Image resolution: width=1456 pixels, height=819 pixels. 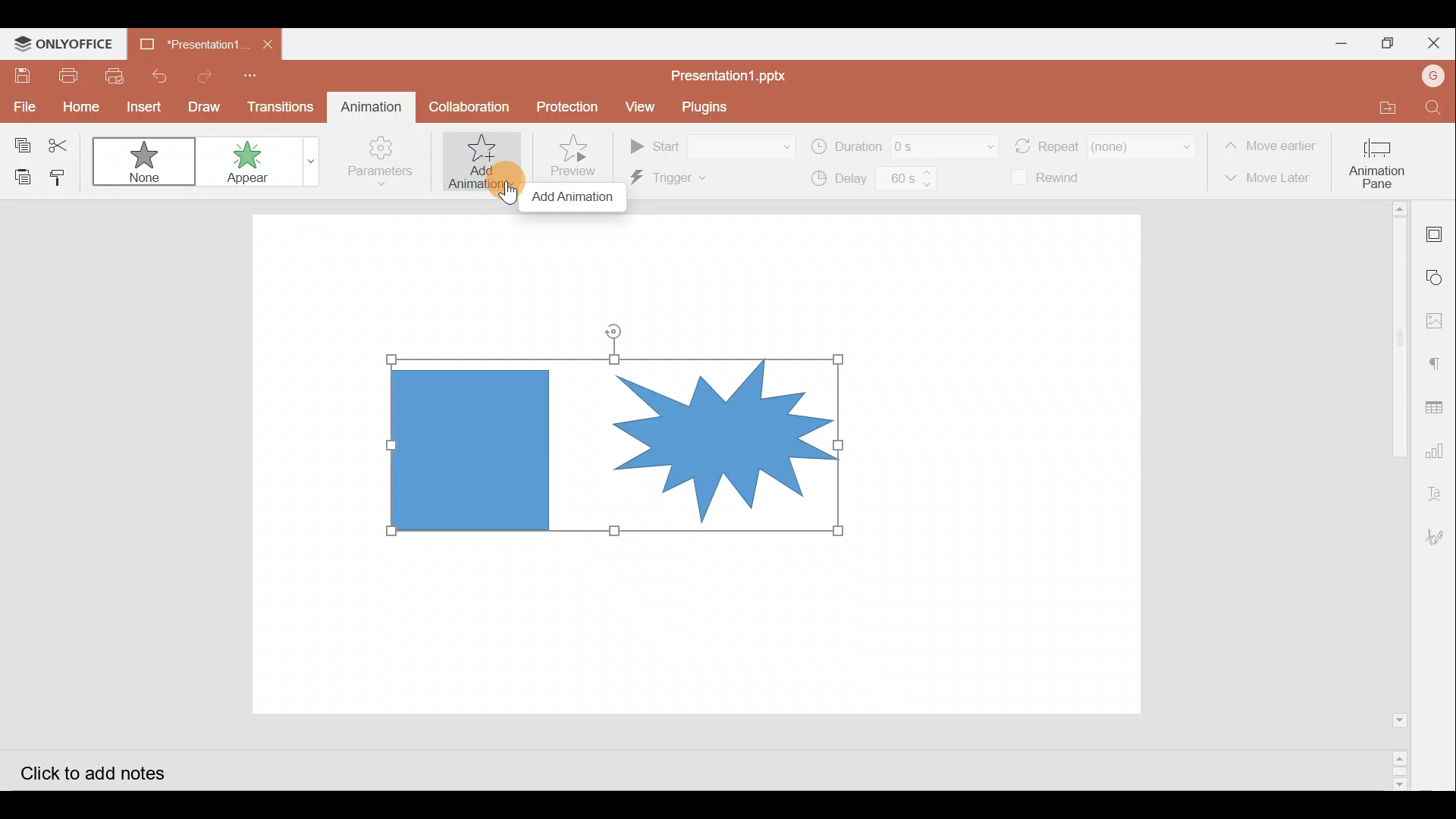 I want to click on Text Art settings, so click(x=1439, y=488).